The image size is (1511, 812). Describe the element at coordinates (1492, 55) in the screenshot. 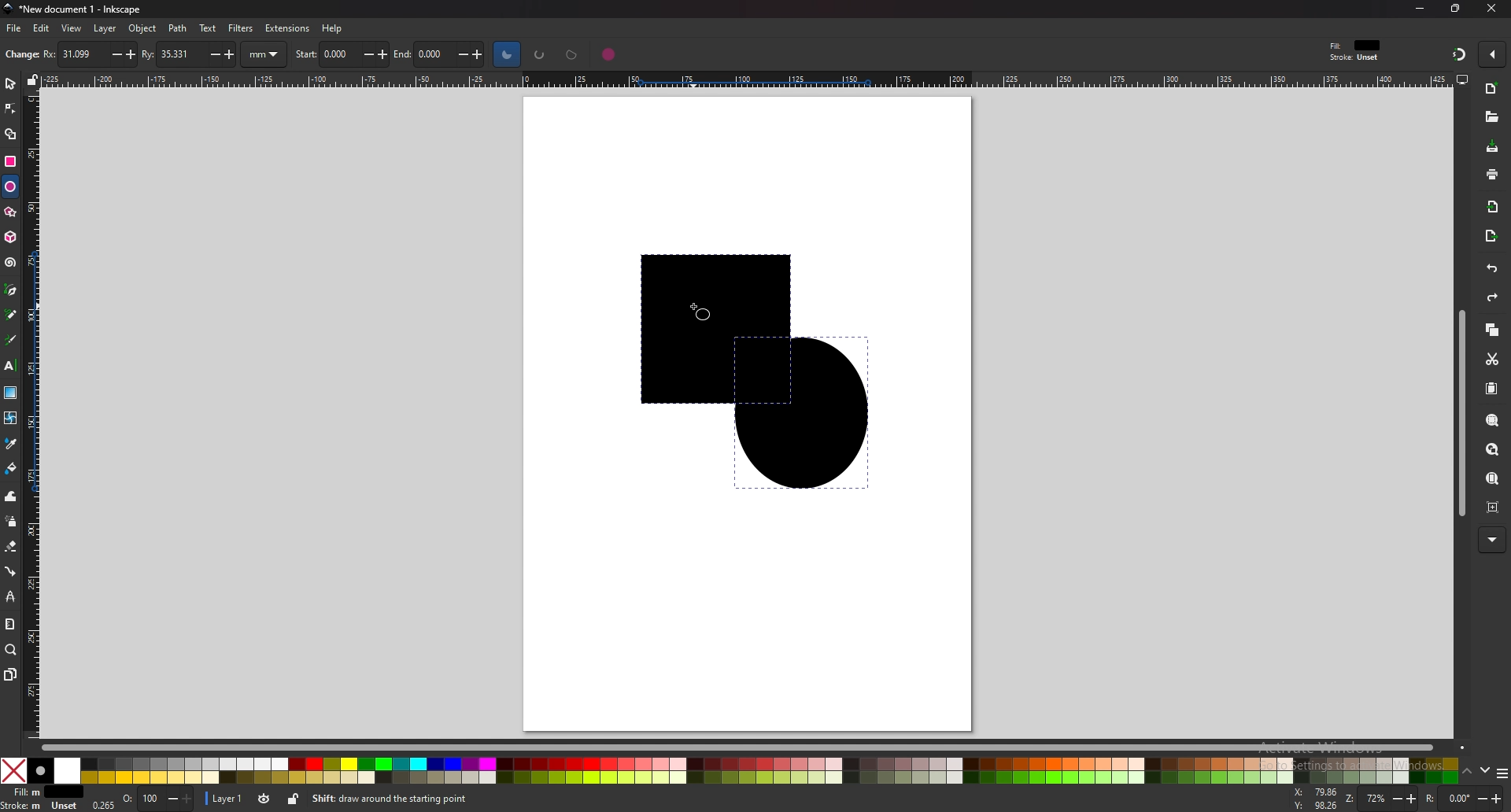

I see `enable snapping` at that location.